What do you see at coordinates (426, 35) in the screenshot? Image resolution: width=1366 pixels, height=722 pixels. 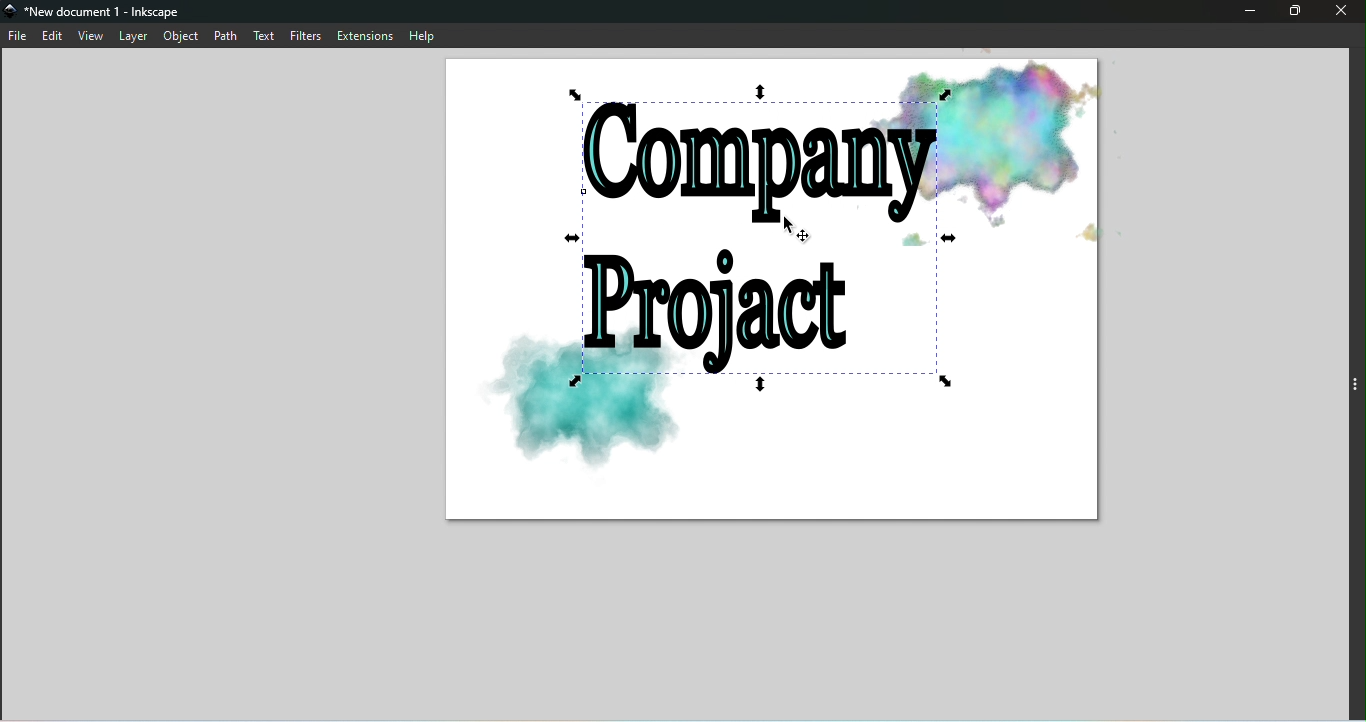 I see `Help` at bounding box center [426, 35].